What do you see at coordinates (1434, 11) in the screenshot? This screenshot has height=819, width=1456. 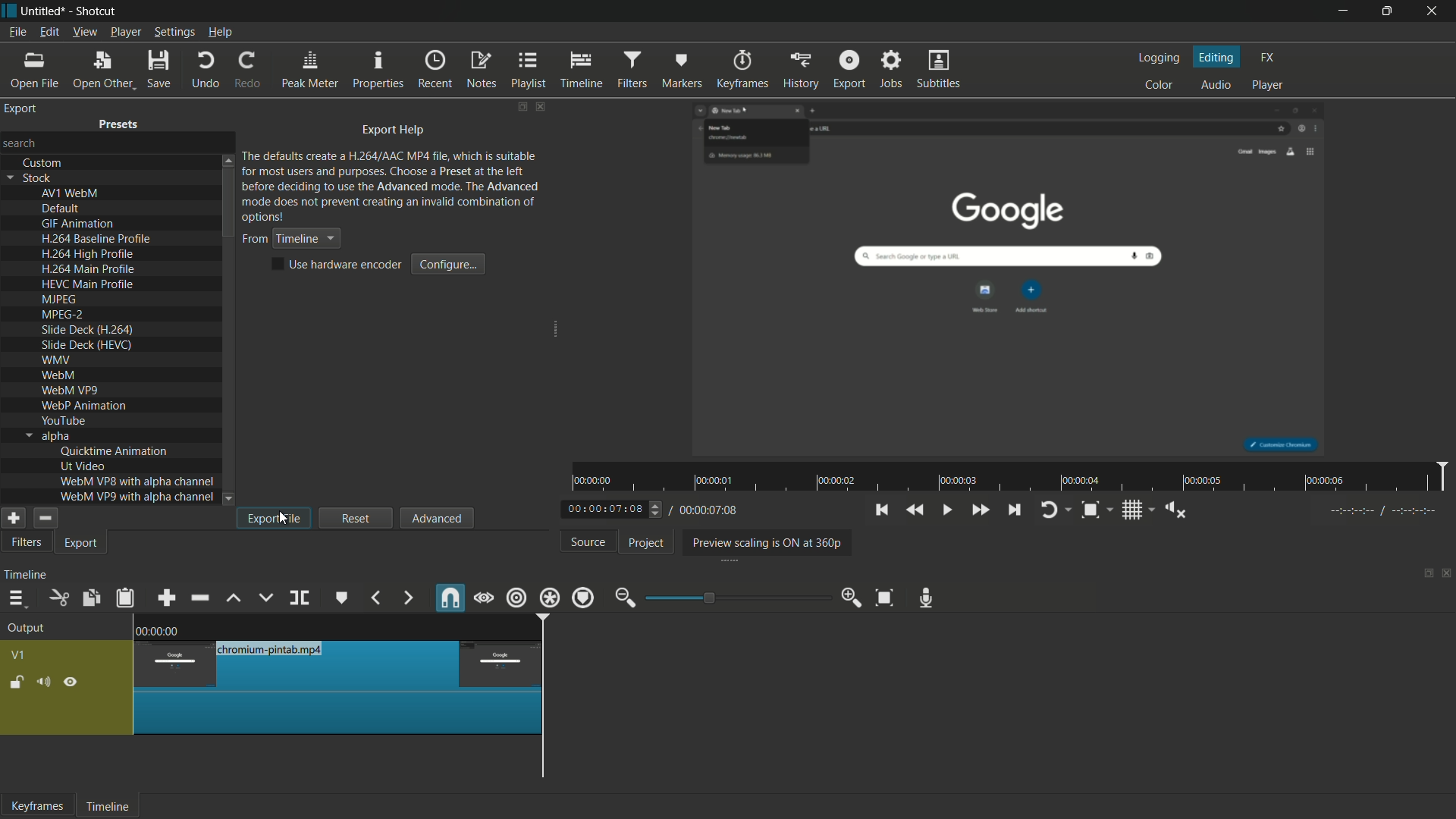 I see `close app` at bounding box center [1434, 11].